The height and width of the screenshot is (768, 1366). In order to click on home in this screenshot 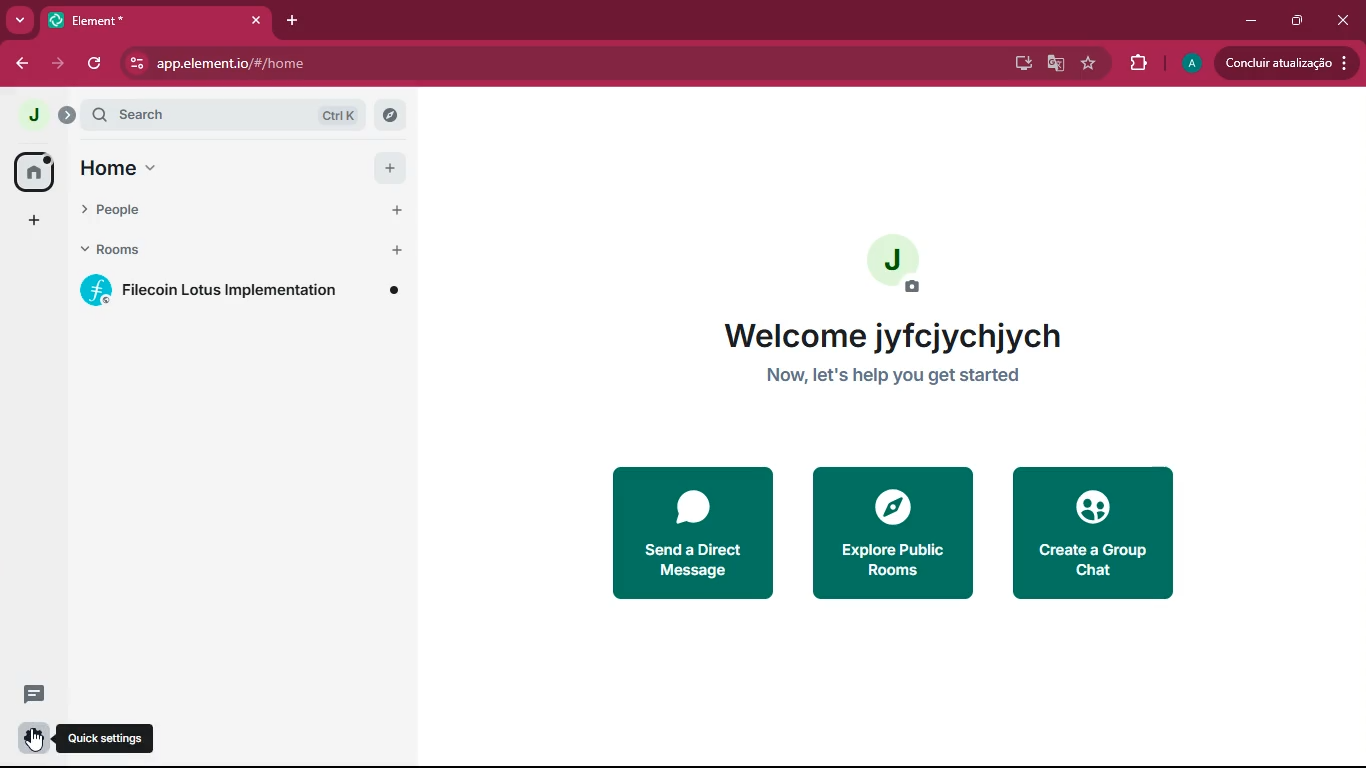, I will do `click(35, 172)`.